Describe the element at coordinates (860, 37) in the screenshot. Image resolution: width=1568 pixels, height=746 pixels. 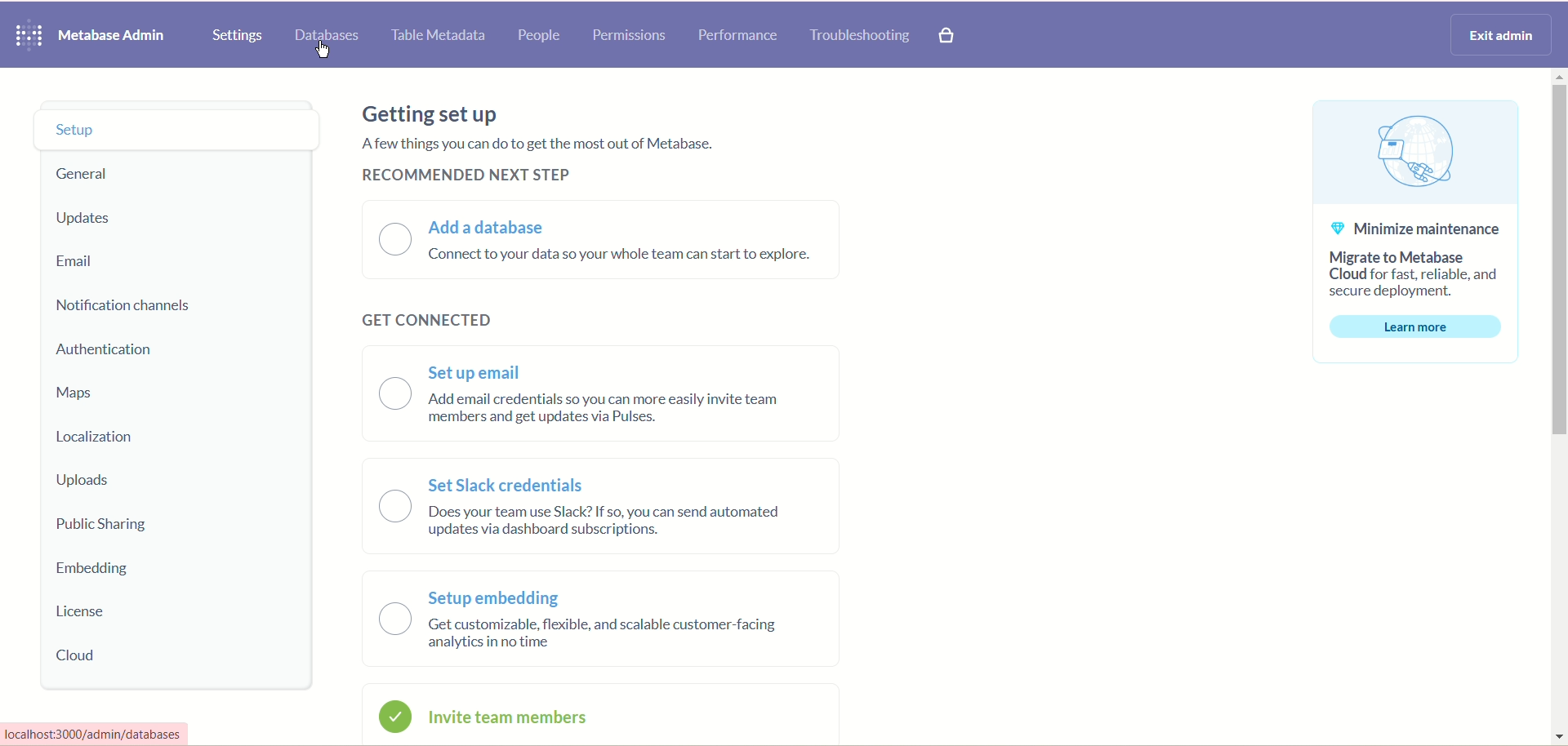
I see `troubleshooting` at that location.